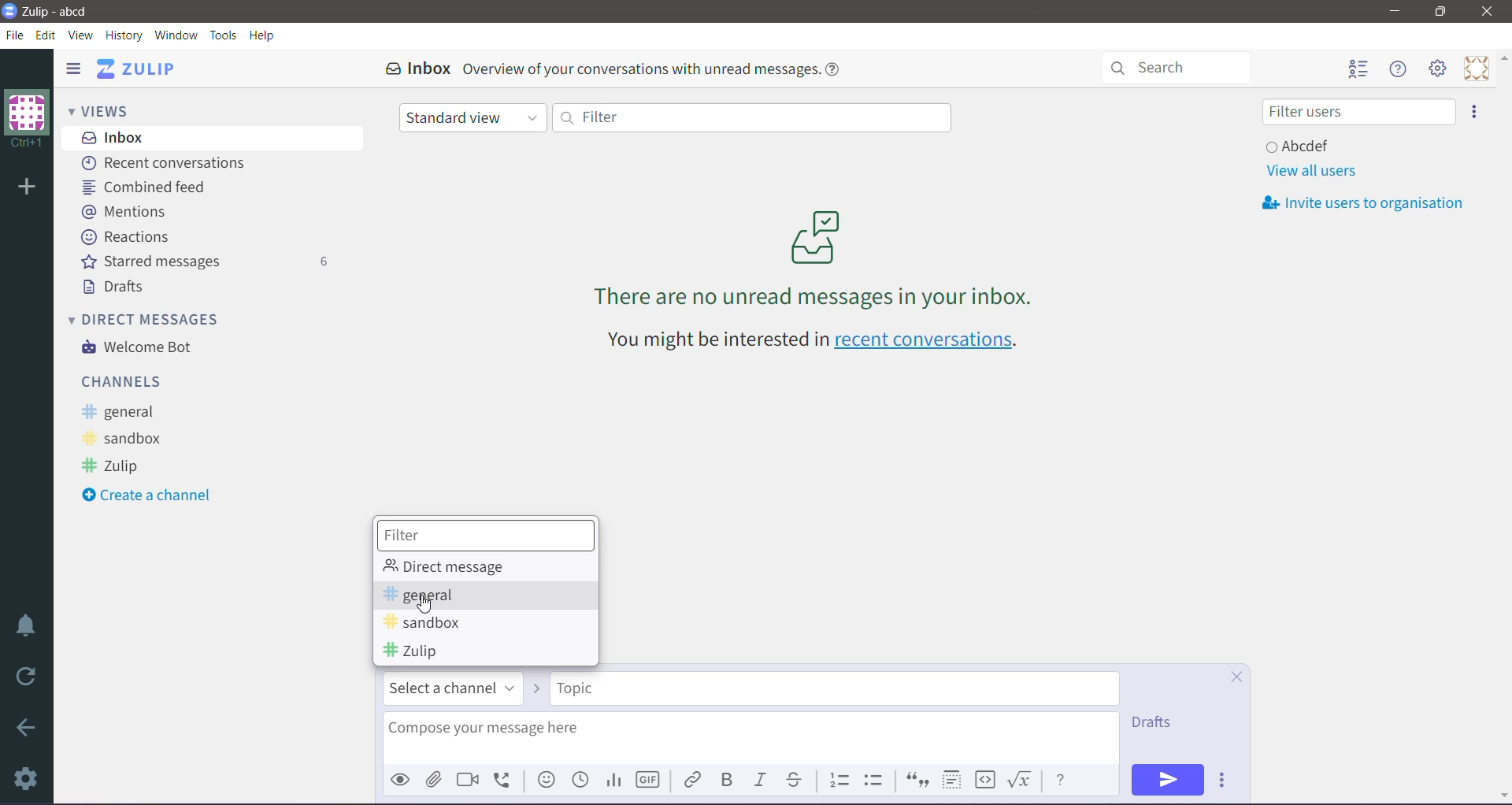 The width and height of the screenshot is (1512, 805). What do you see at coordinates (124, 412) in the screenshot?
I see `general` at bounding box center [124, 412].